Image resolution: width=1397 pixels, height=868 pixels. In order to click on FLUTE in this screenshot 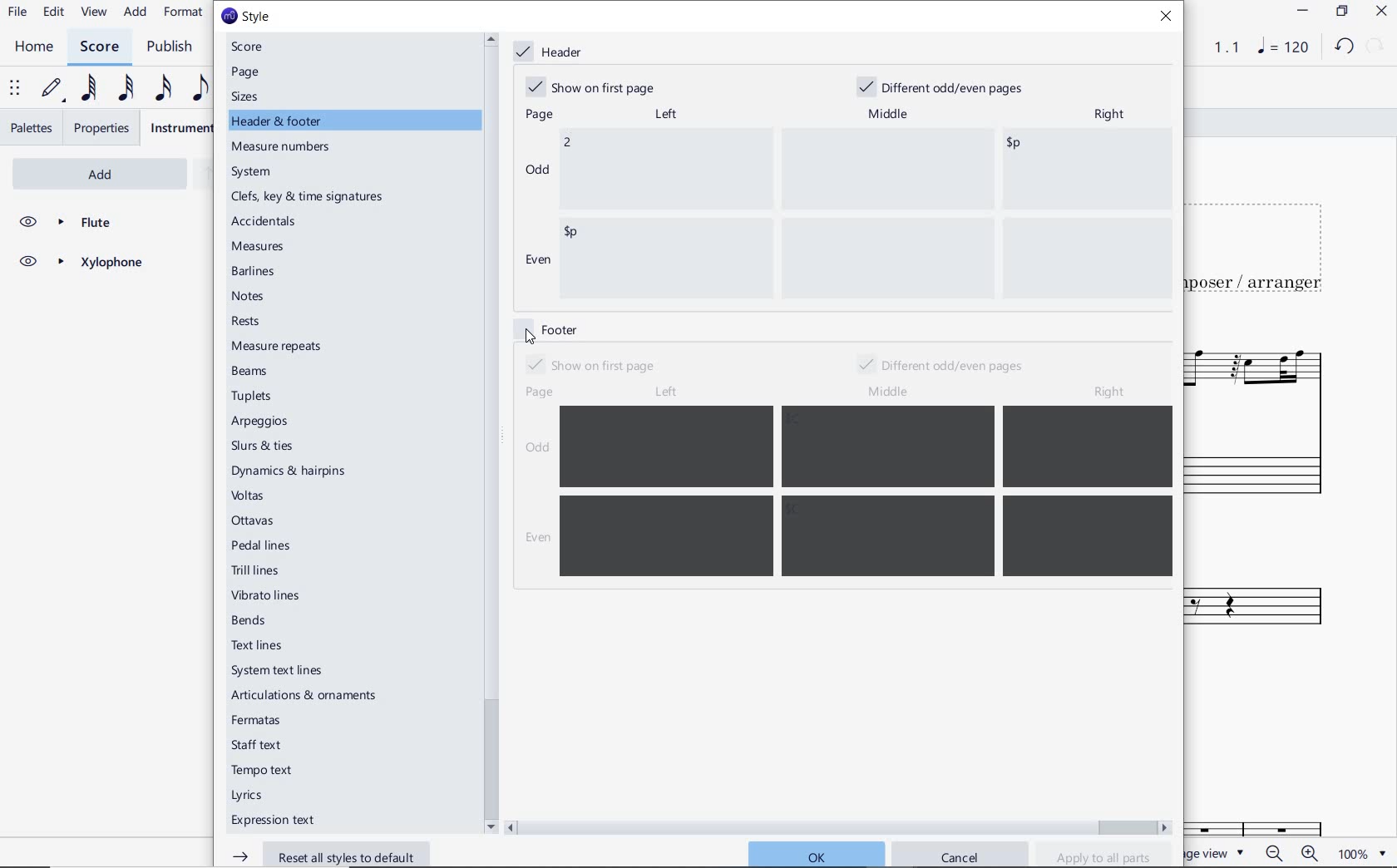, I will do `click(80, 223)`.